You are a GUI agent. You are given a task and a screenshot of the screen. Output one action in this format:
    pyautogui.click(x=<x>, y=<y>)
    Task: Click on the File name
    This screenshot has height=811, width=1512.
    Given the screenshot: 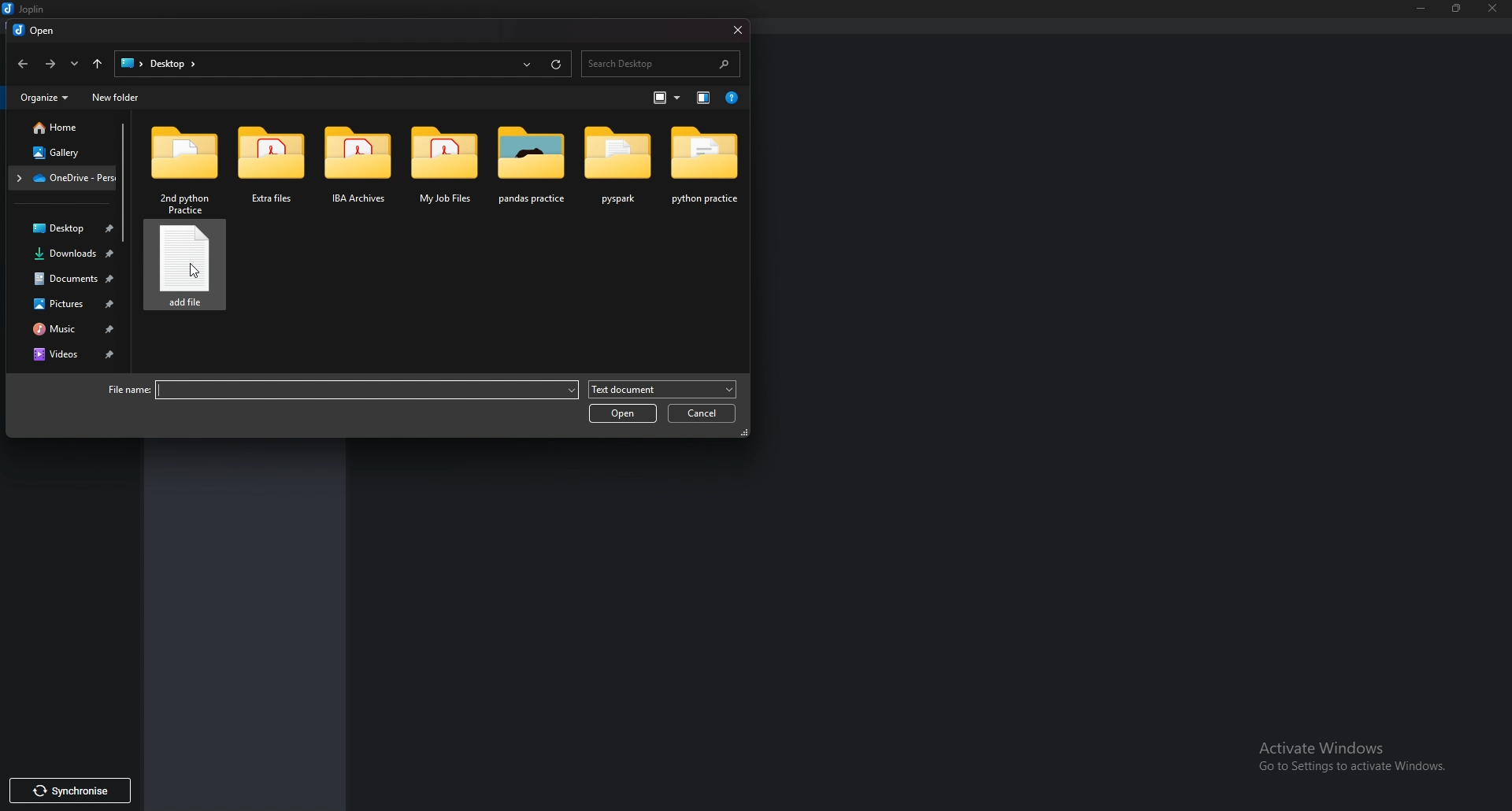 What is the action you would take?
    pyautogui.click(x=341, y=391)
    